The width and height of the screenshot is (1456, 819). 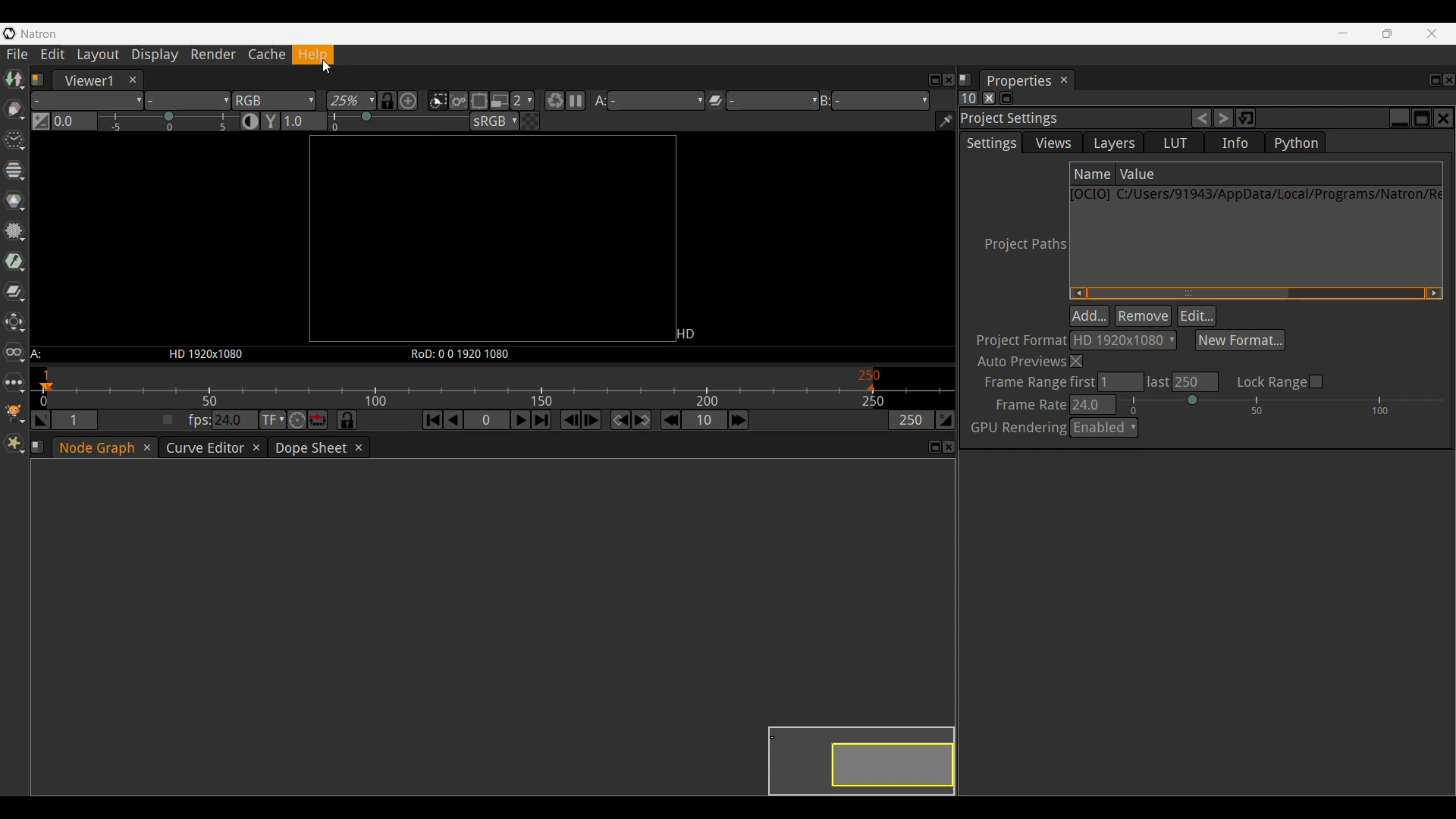 I want to click on Frame Range first : 1, so click(x=1060, y=381).